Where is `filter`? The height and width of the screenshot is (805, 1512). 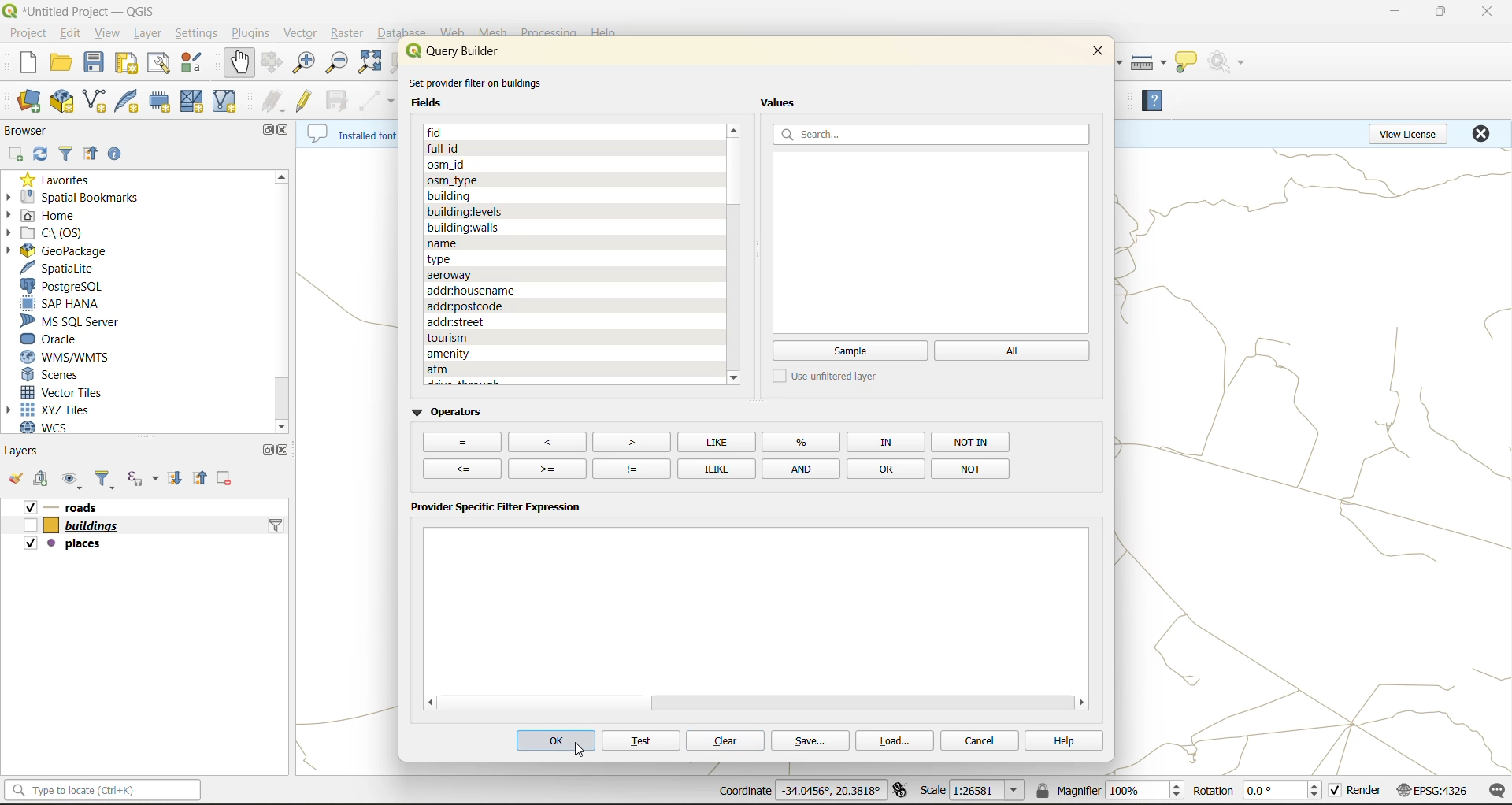 filter is located at coordinates (100, 478).